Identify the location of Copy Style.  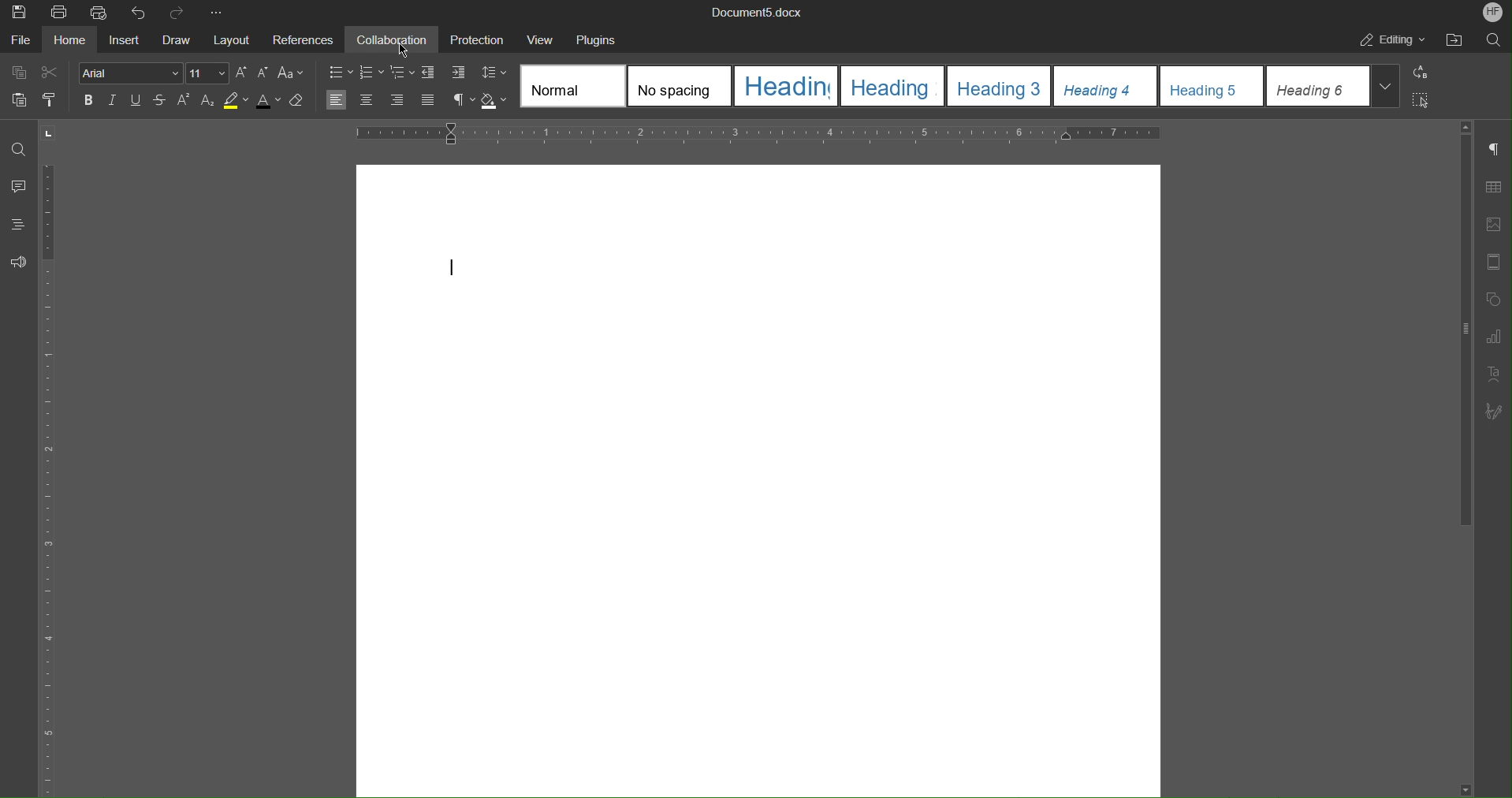
(52, 99).